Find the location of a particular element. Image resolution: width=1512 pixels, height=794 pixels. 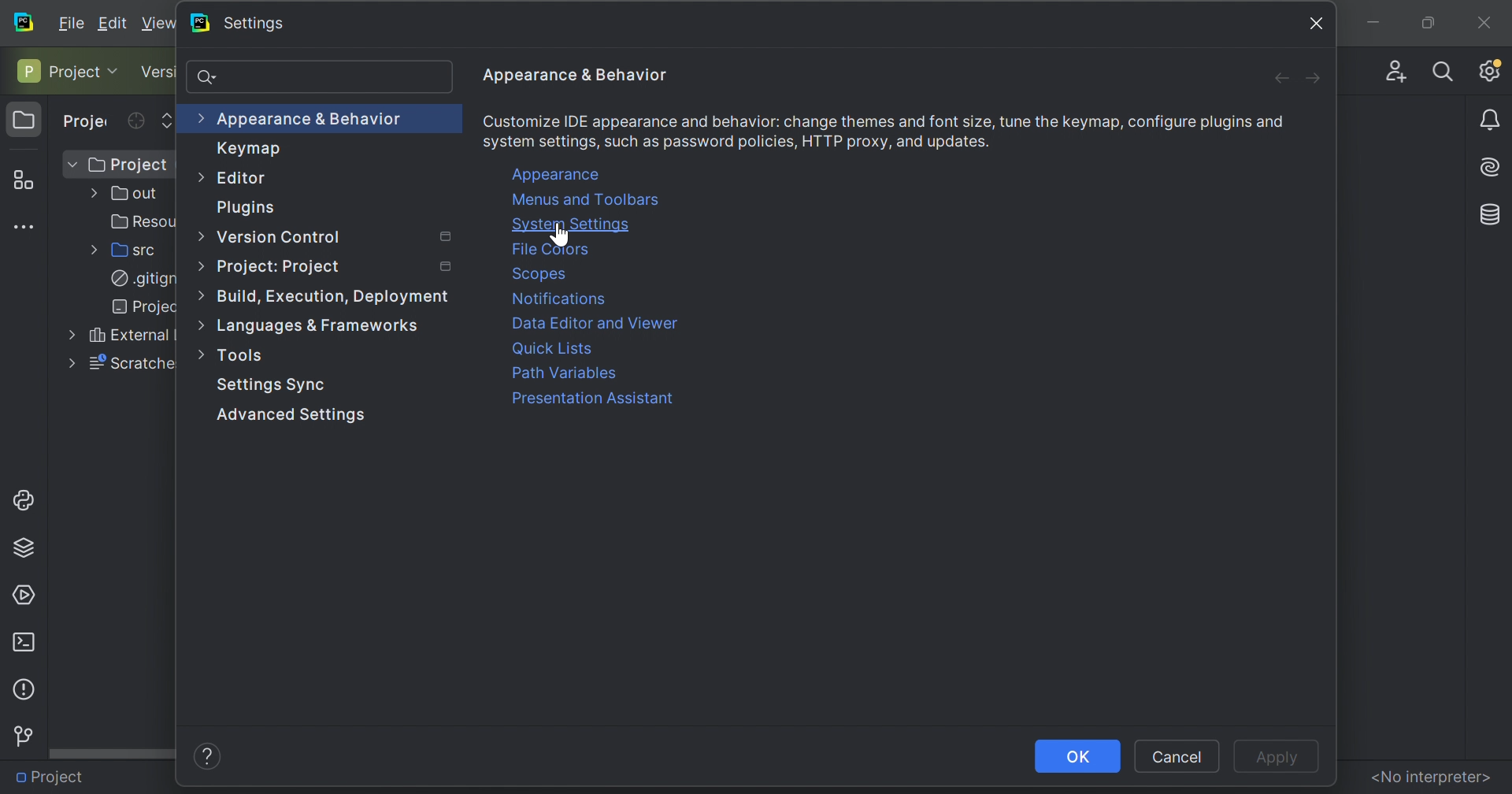

Apply is located at coordinates (1272, 758).